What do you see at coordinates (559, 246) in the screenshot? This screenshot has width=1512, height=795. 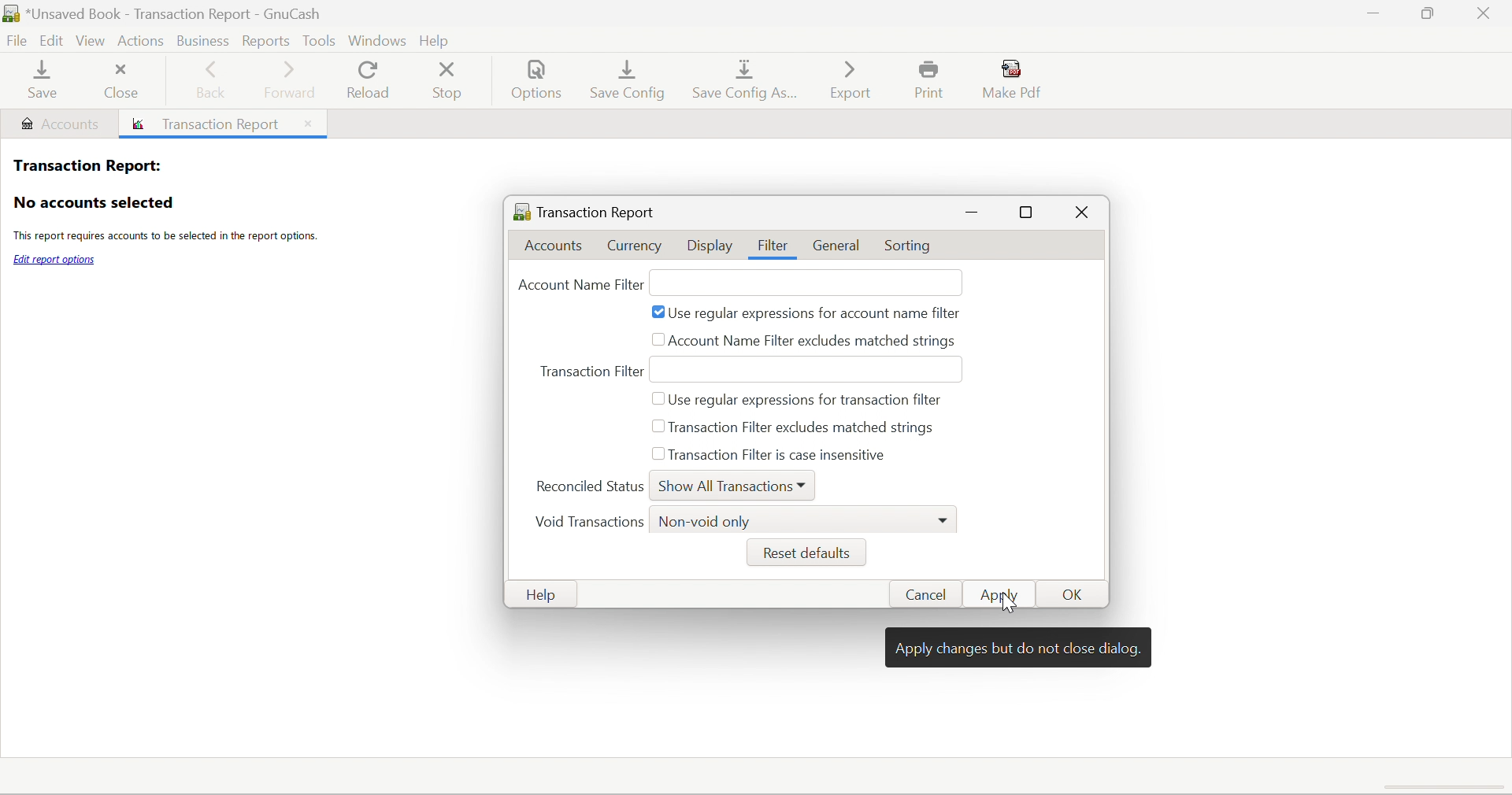 I see `Accounts` at bounding box center [559, 246].